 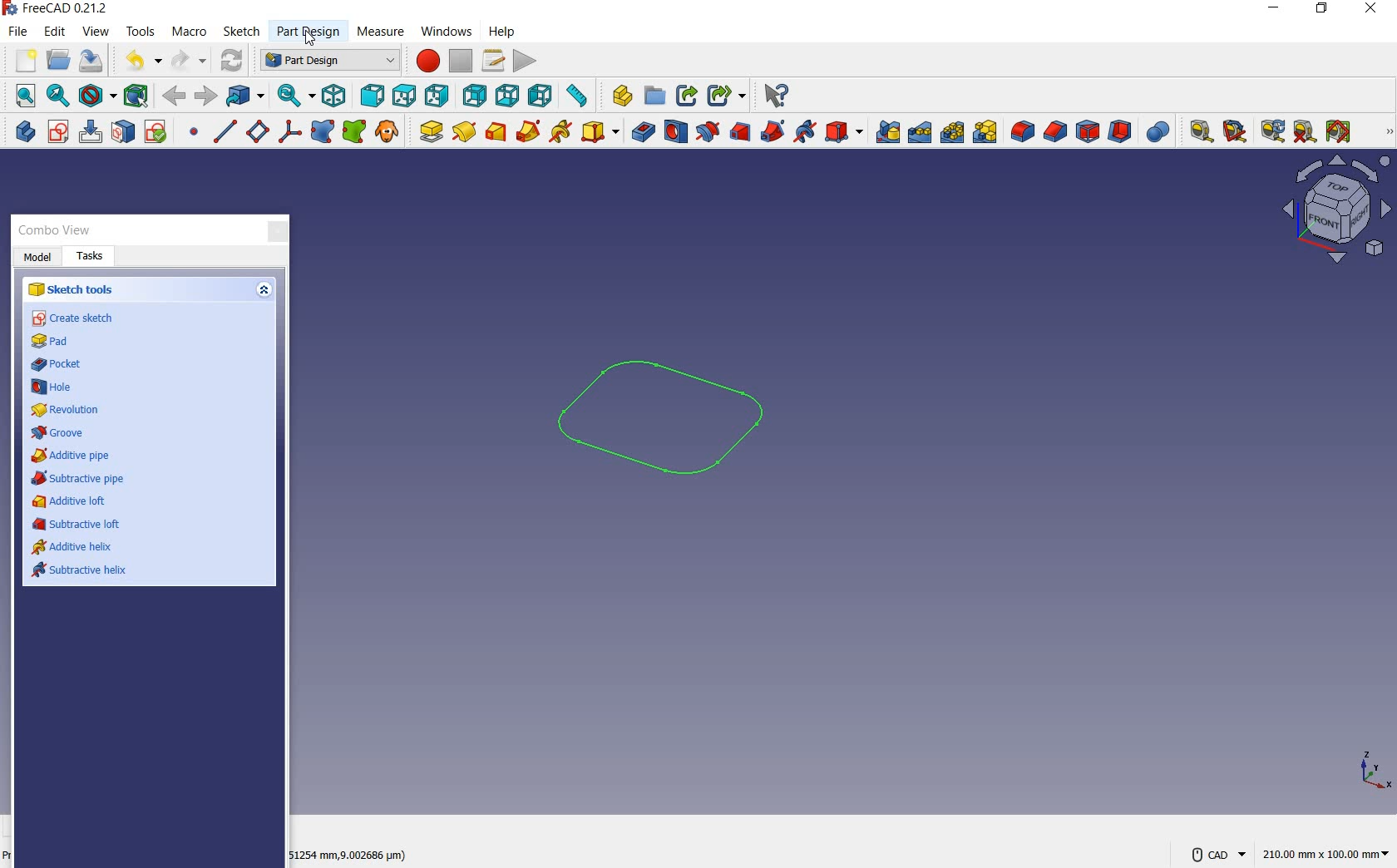 I want to click on top, so click(x=405, y=95).